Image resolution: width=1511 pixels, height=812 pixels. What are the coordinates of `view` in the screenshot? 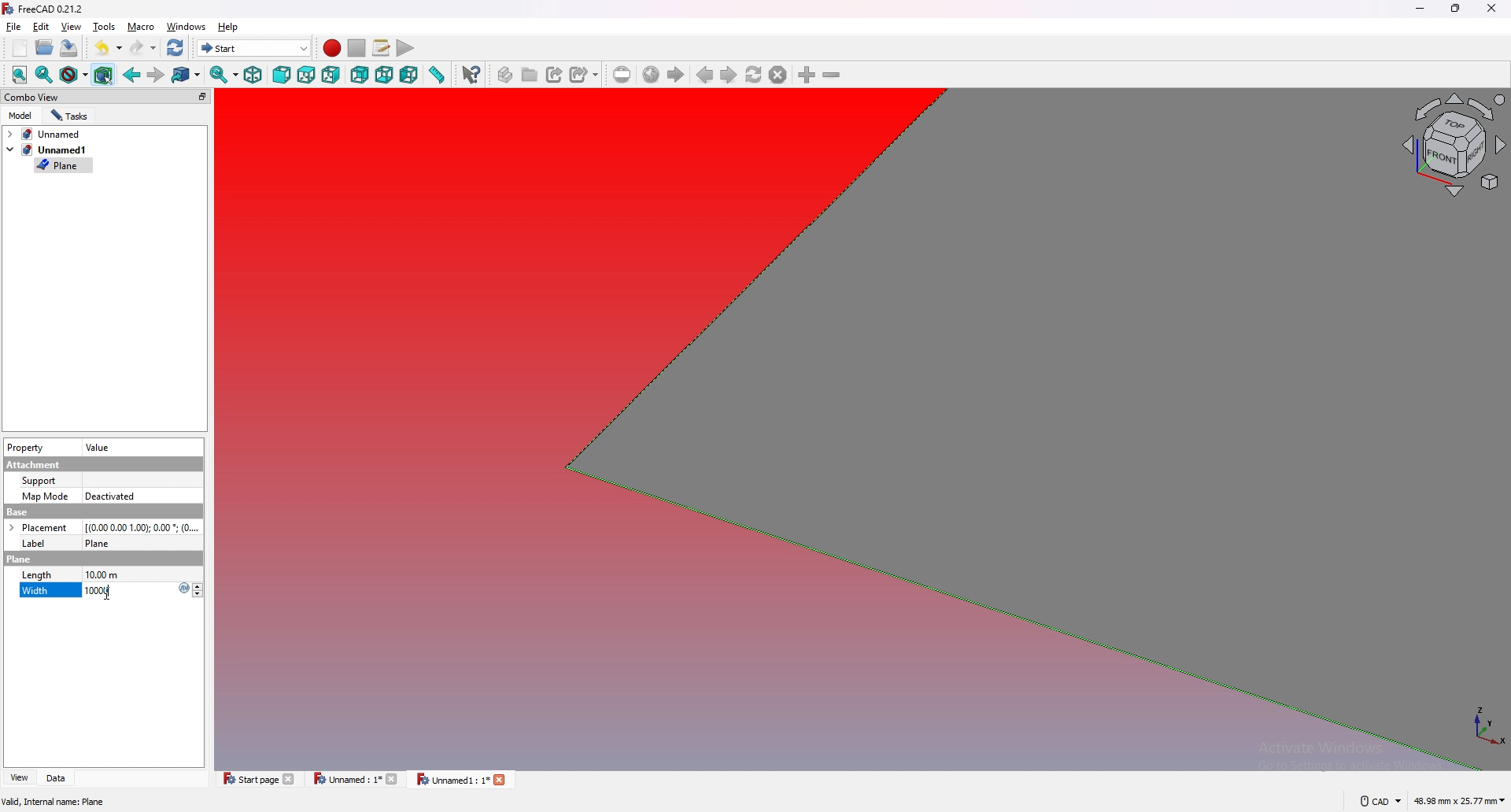 It's located at (72, 26).